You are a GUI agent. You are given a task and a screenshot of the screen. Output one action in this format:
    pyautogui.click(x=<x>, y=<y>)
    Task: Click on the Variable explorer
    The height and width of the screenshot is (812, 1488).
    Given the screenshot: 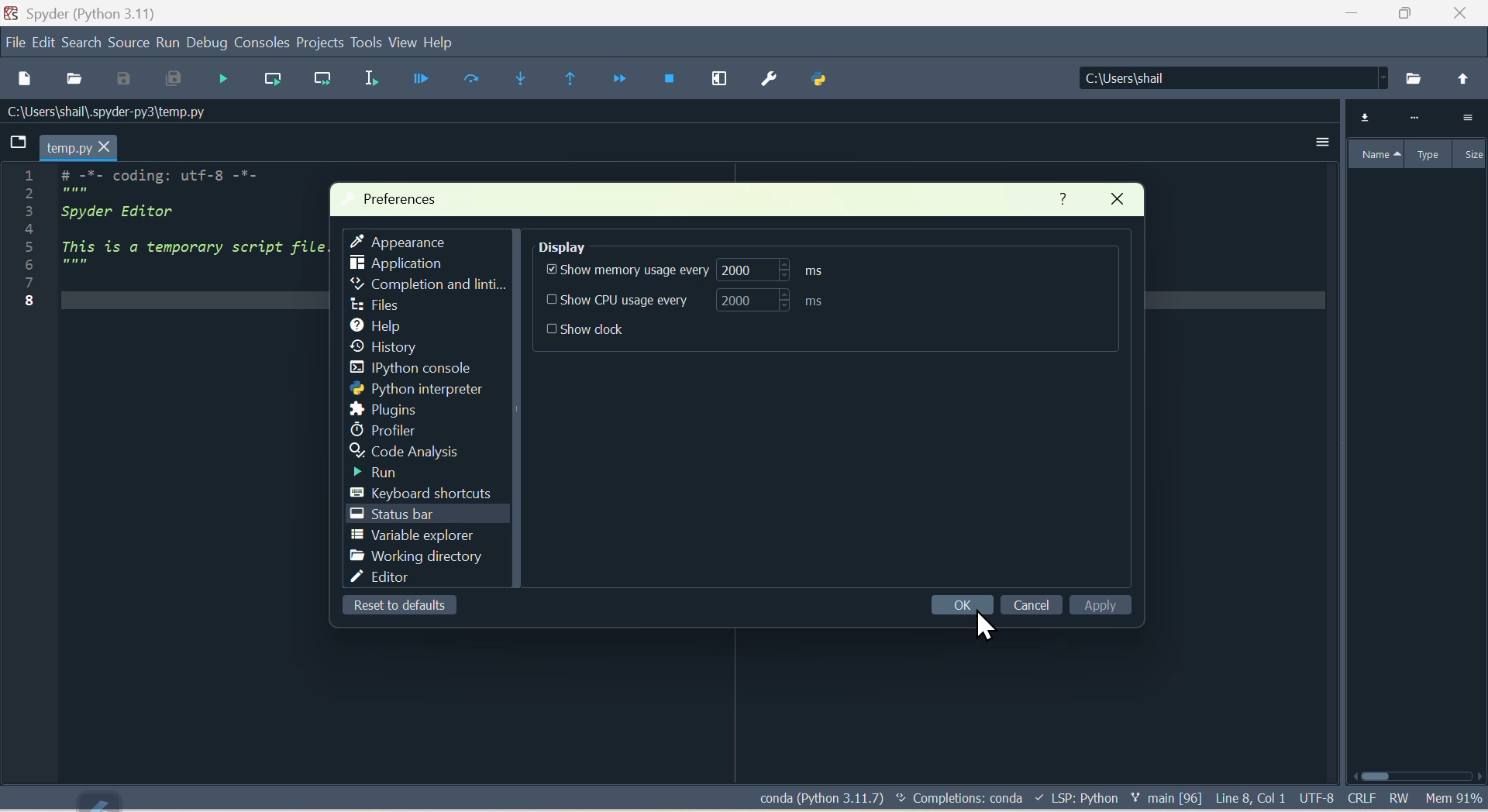 What is the action you would take?
    pyautogui.click(x=429, y=535)
    